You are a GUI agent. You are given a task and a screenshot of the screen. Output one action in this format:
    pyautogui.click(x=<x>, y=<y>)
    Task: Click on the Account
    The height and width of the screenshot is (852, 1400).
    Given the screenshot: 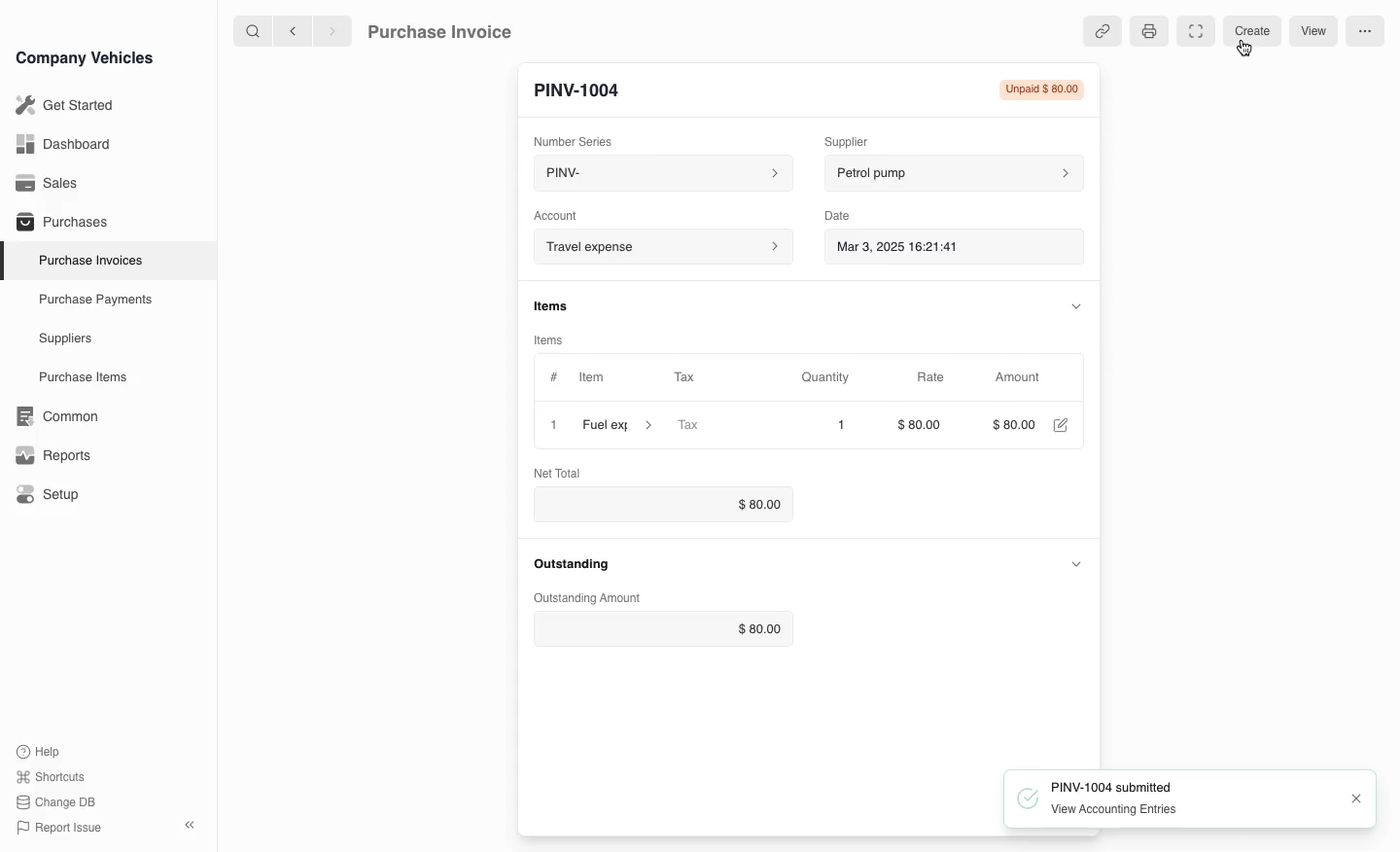 What is the action you would take?
    pyautogui.click(x=660, y=247)
    